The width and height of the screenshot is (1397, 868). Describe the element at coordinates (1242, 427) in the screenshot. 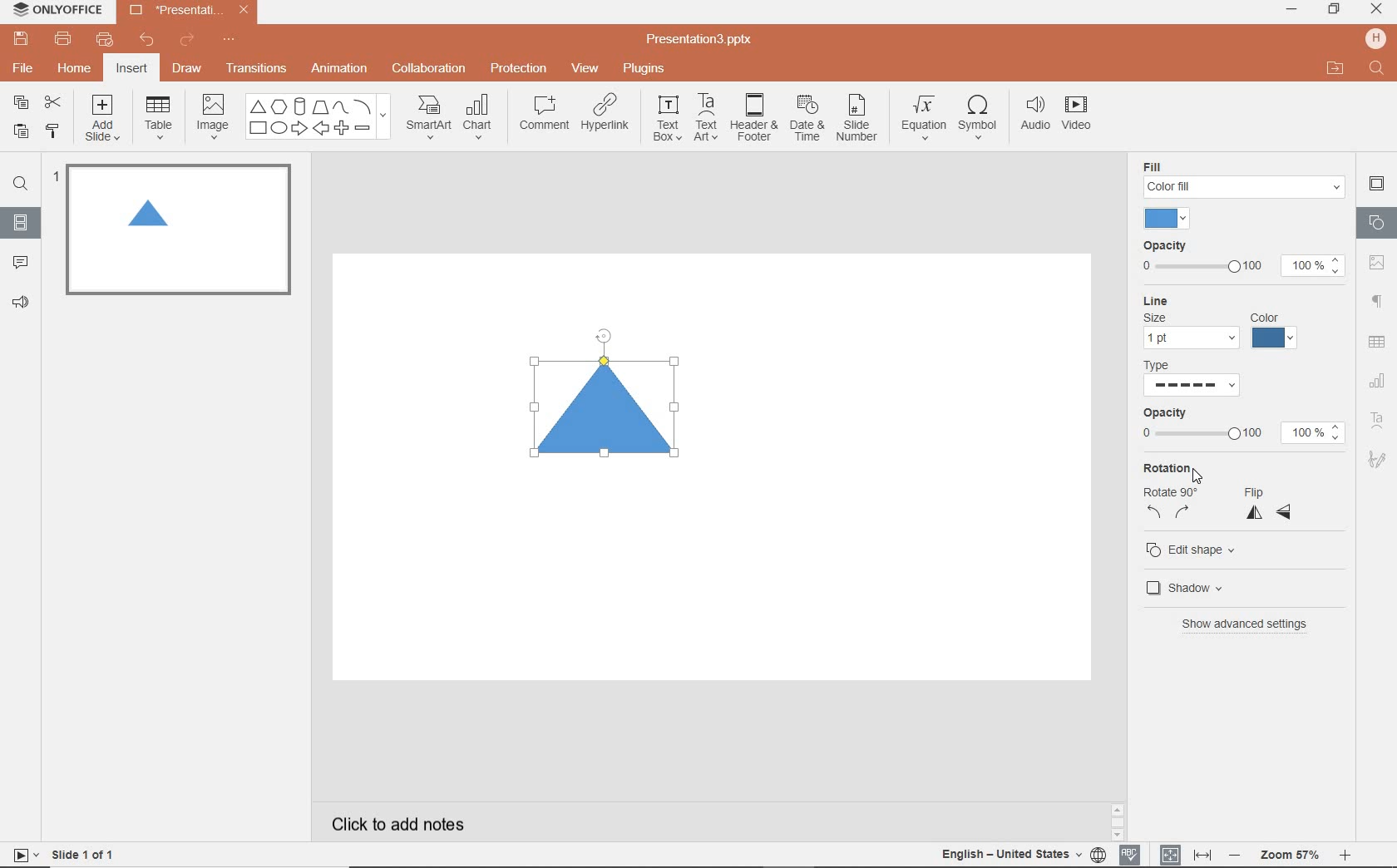

I see `opacity` at that location.